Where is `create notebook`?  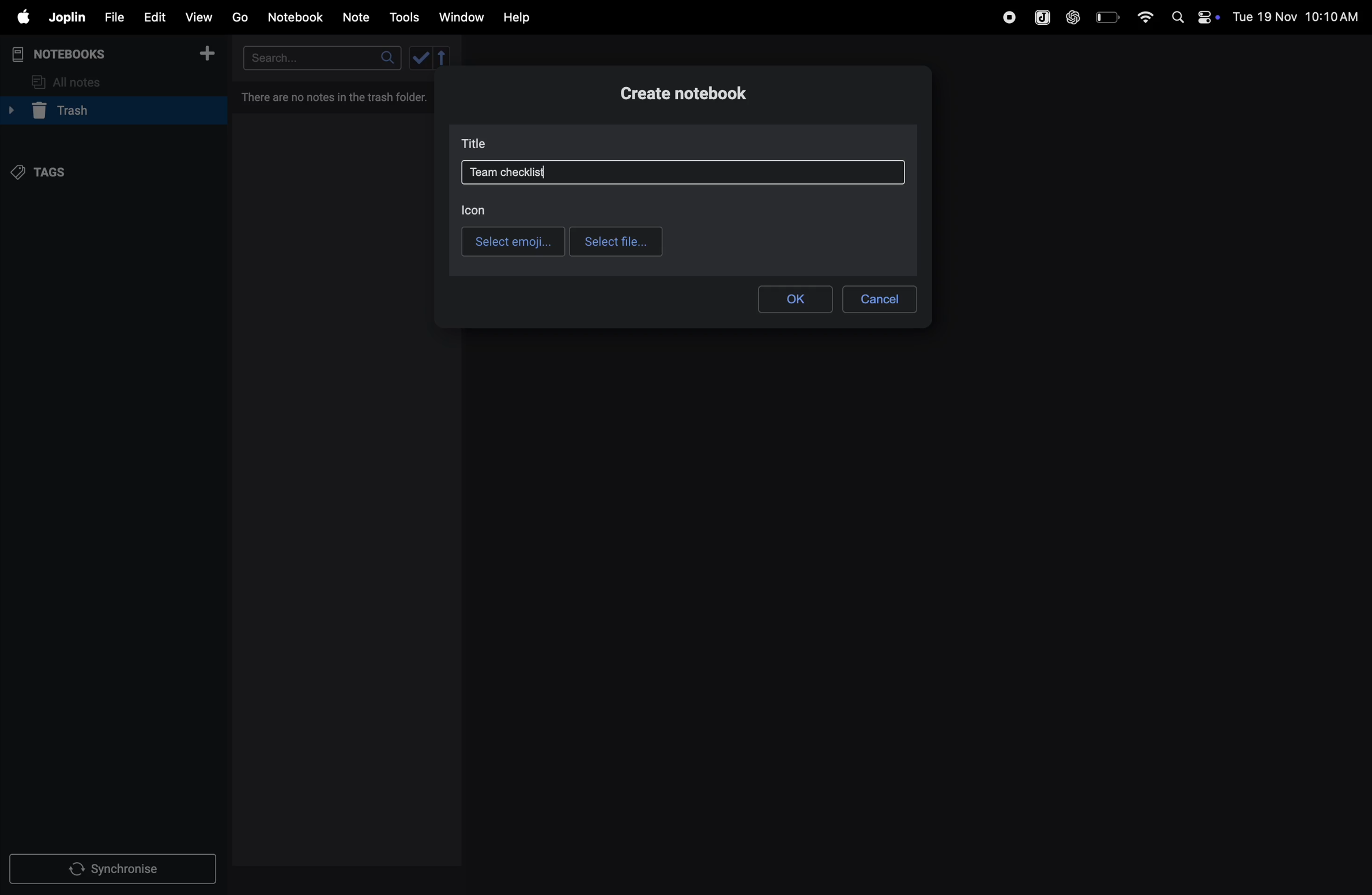
create notebook is located at coordinates (694, 96).